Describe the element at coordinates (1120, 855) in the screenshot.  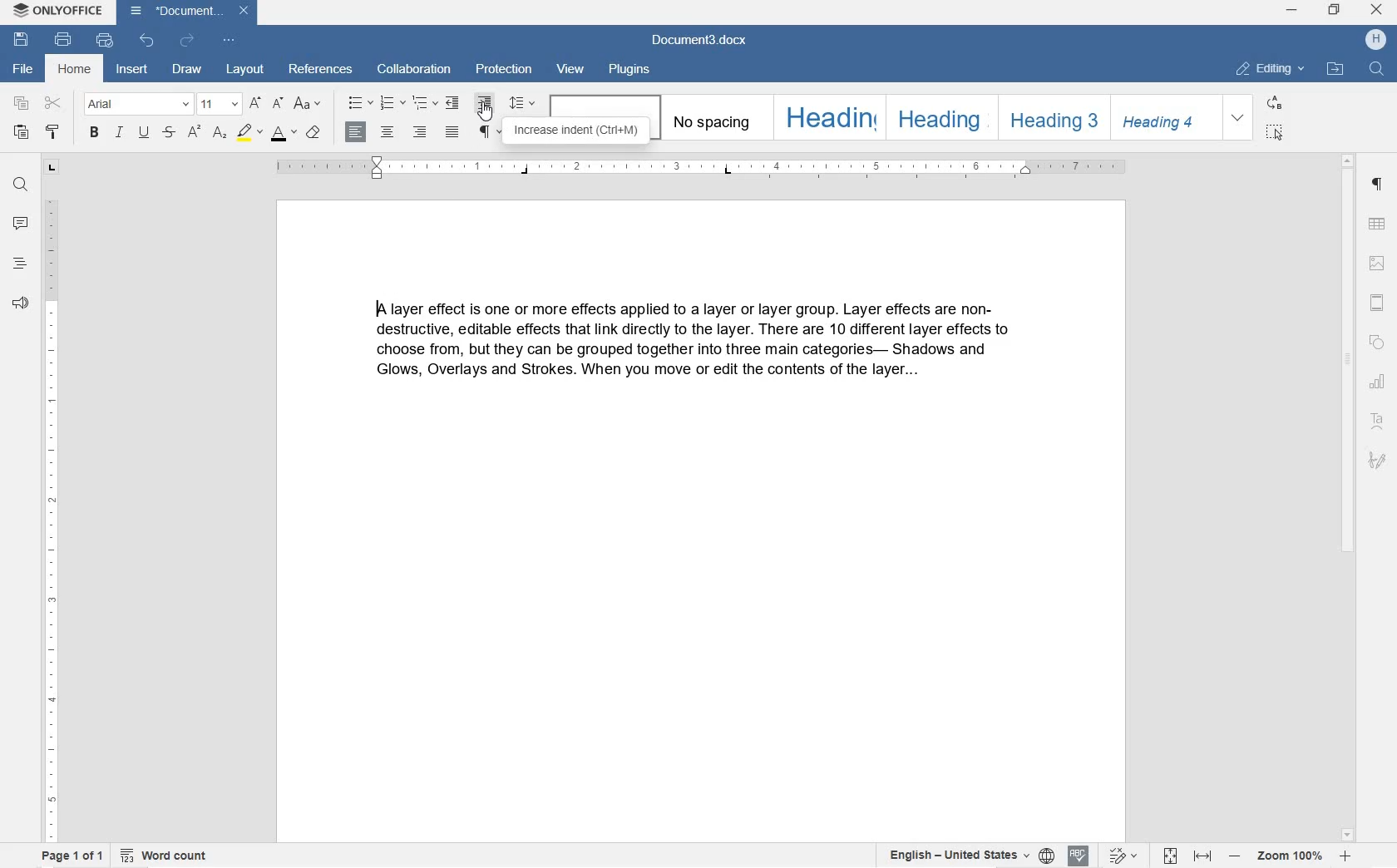
I see `TRACK CHANGES` at that location.